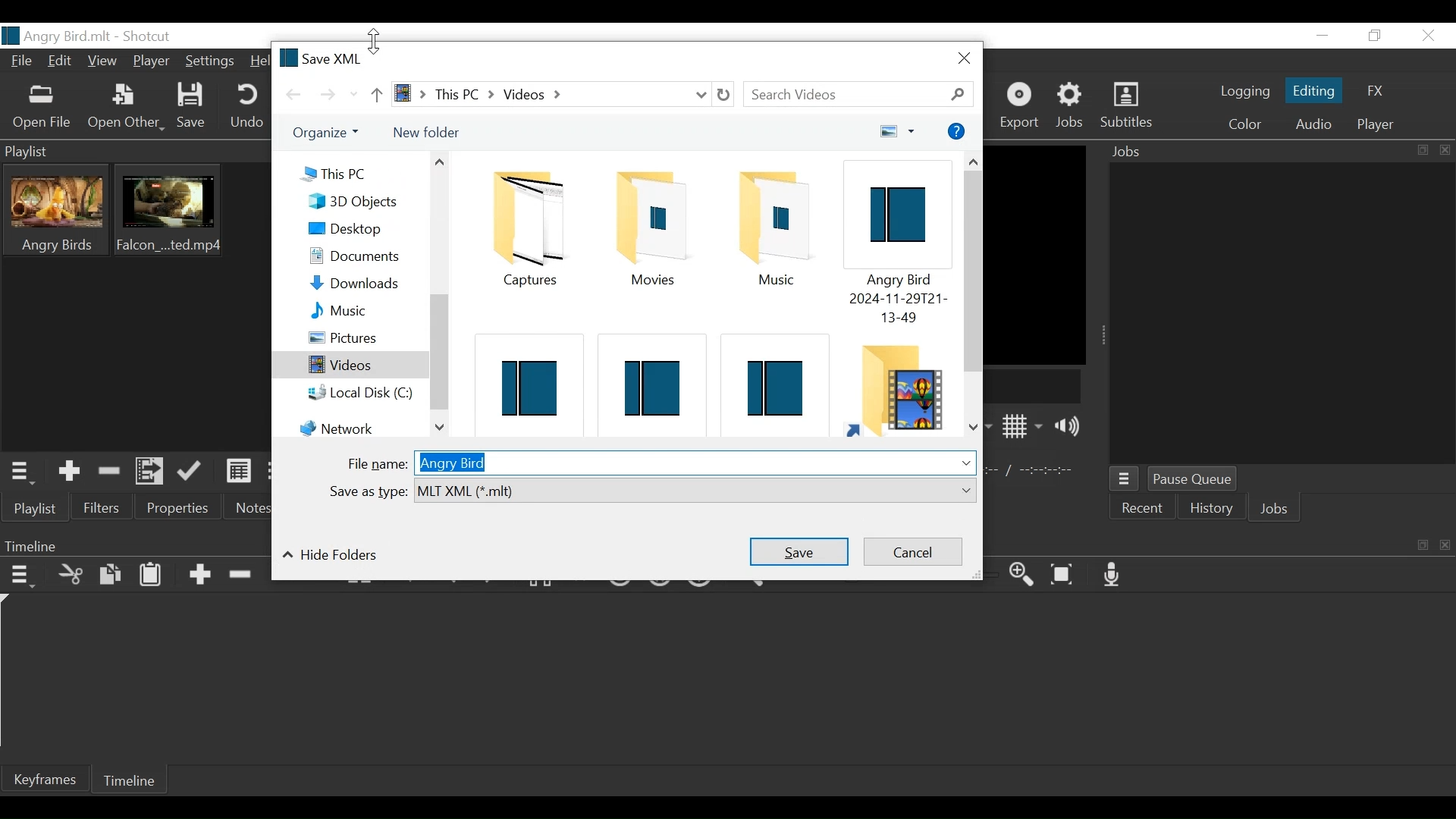 This screenshot has height=819, width=1456. Describe the element at coordinates (726, 95) in the screenshot. I see `Refresh` at that location.